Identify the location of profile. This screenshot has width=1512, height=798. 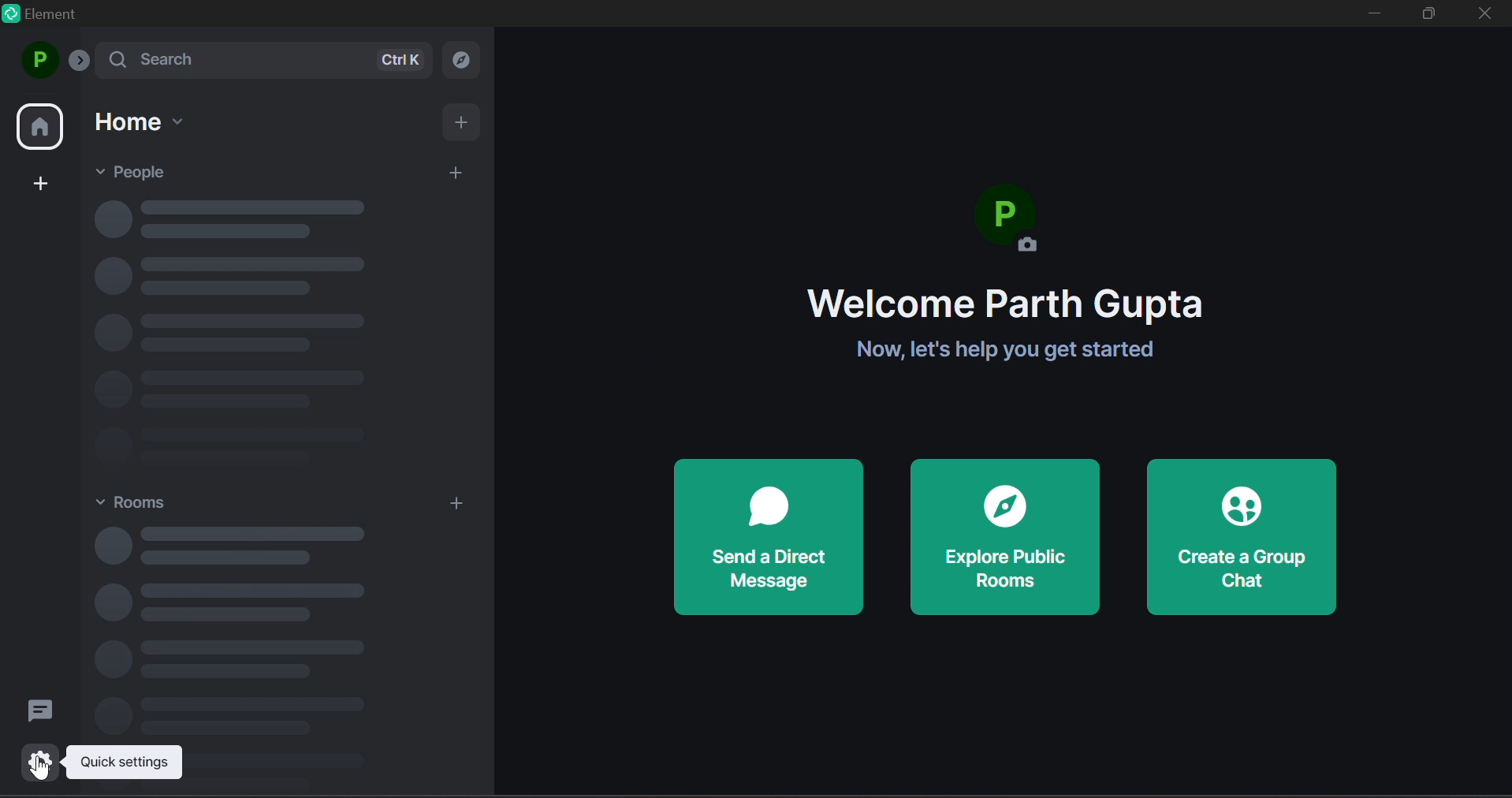
(39, 60).